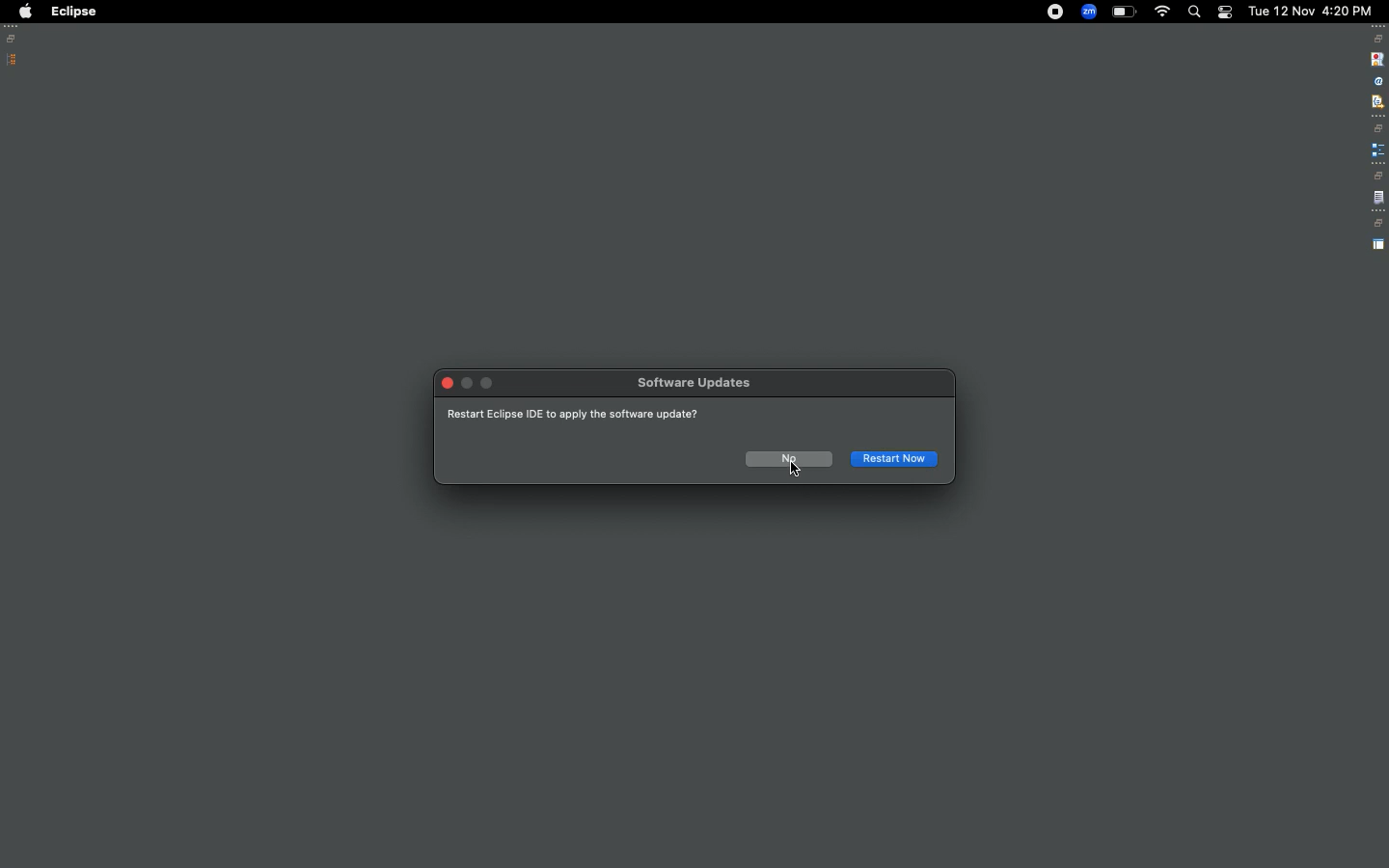  What do you see at coordinates (783, 458) in the screenshot?
I see `No` at bounding box center [783, 458].